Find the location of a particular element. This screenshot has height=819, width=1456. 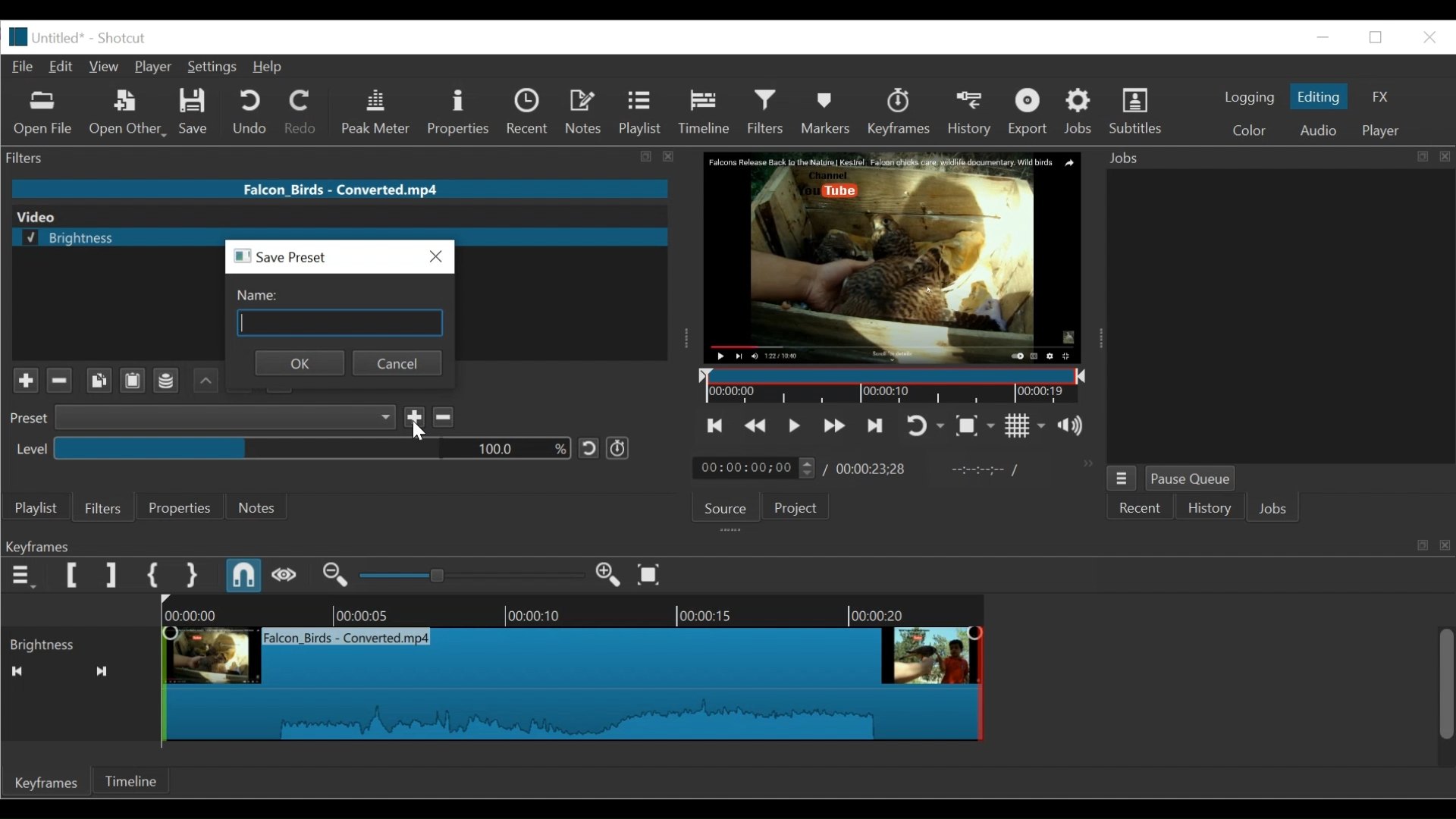

Preset dropdown menu is located at coordinates (226, 417).